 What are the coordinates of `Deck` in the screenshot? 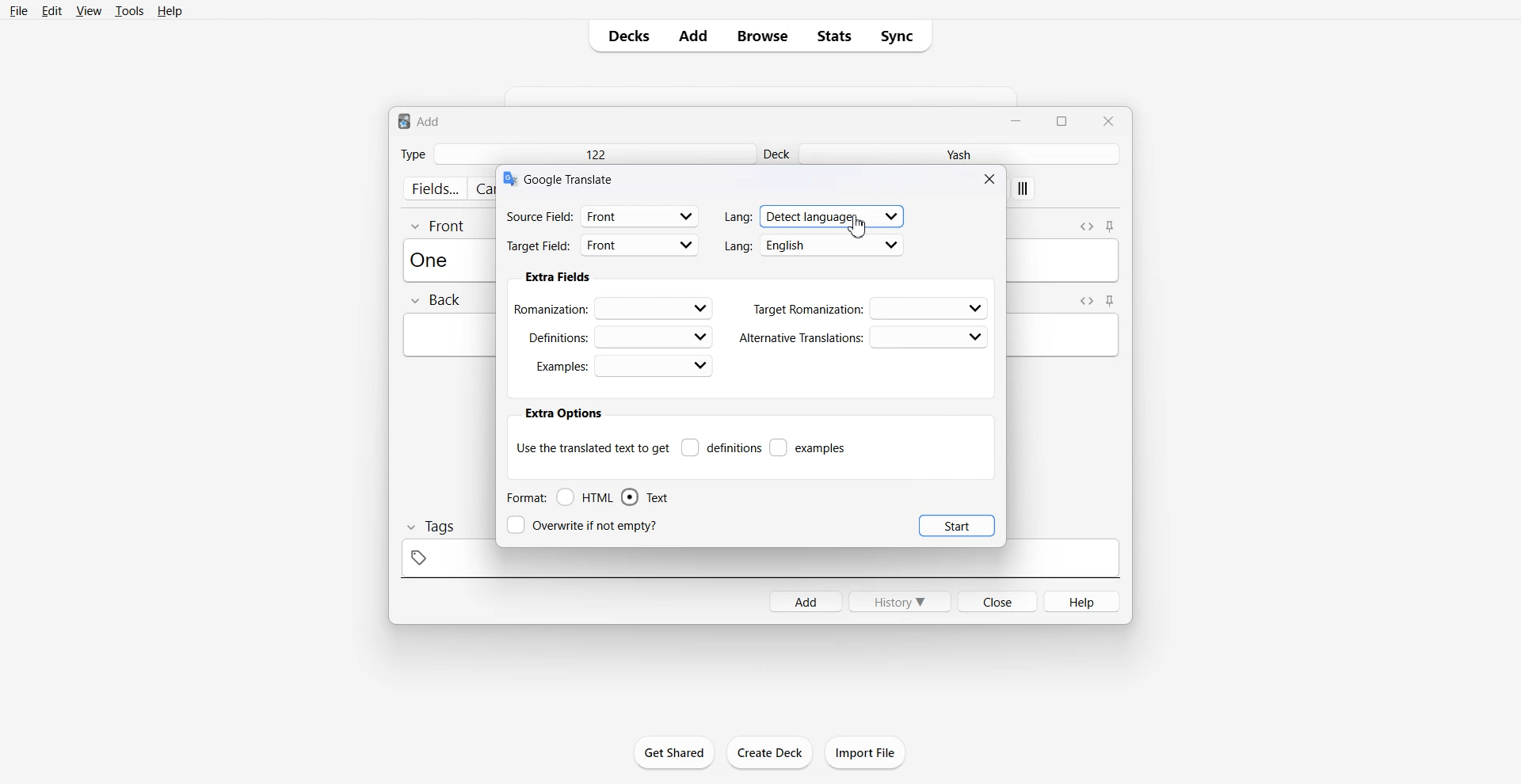 It's located at (779, 154).